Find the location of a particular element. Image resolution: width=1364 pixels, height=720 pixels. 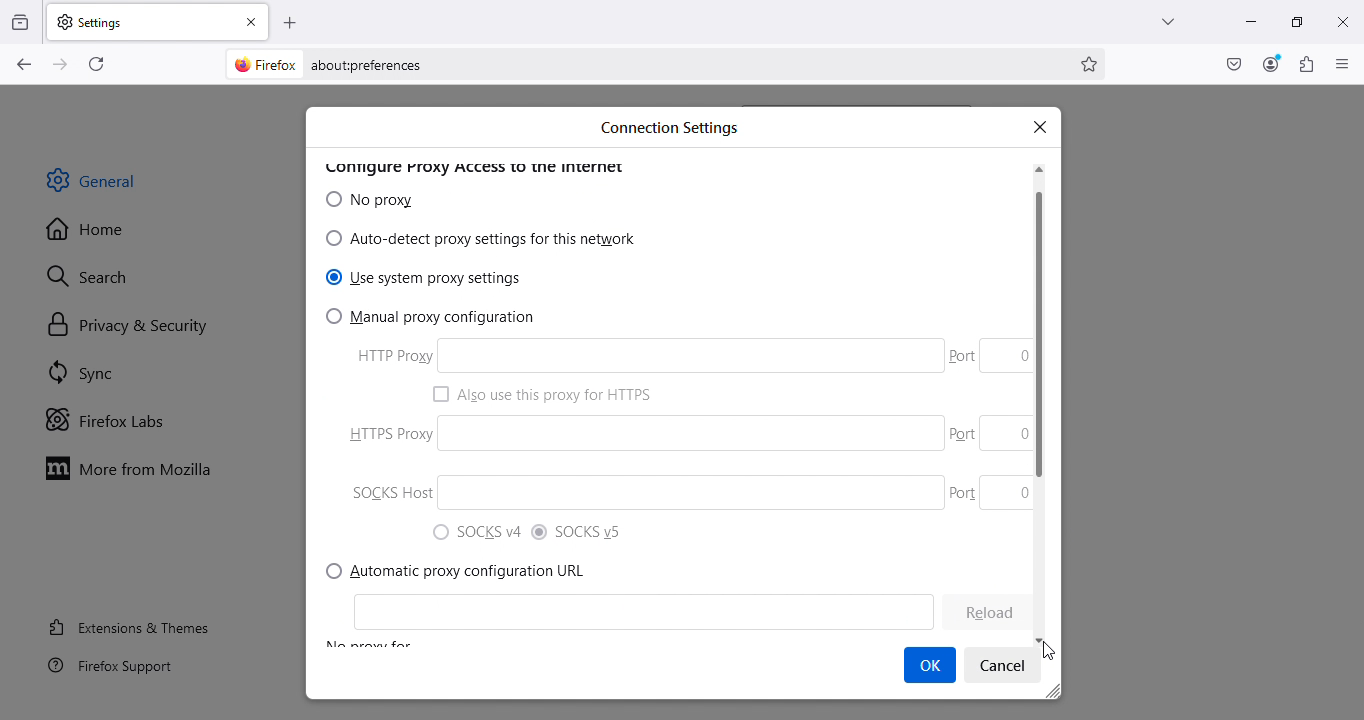

Open a new tab is located at coordinates (291, 22).